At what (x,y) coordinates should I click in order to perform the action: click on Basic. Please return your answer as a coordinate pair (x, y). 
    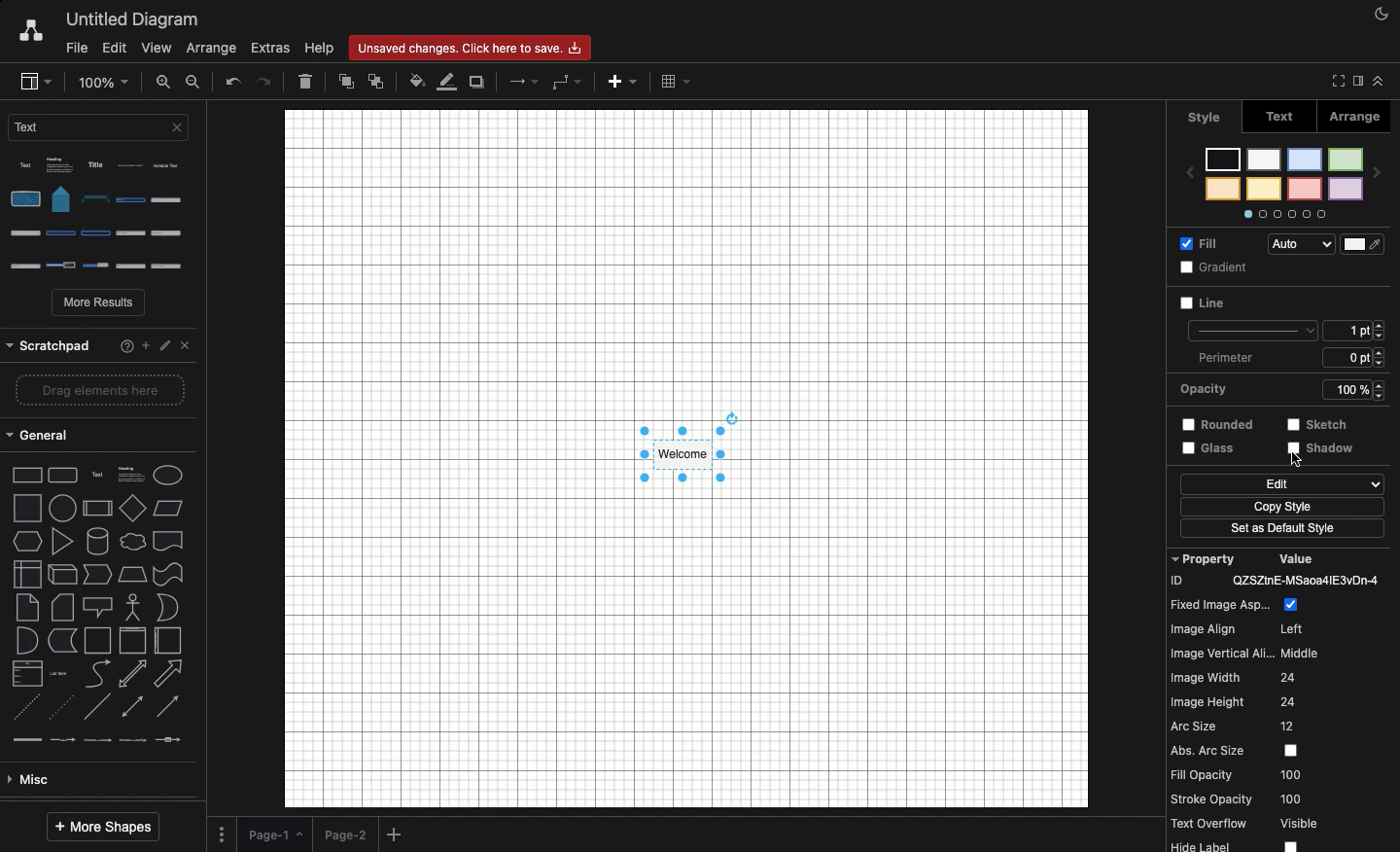
    Looking at the image, I should click on (98, 673).